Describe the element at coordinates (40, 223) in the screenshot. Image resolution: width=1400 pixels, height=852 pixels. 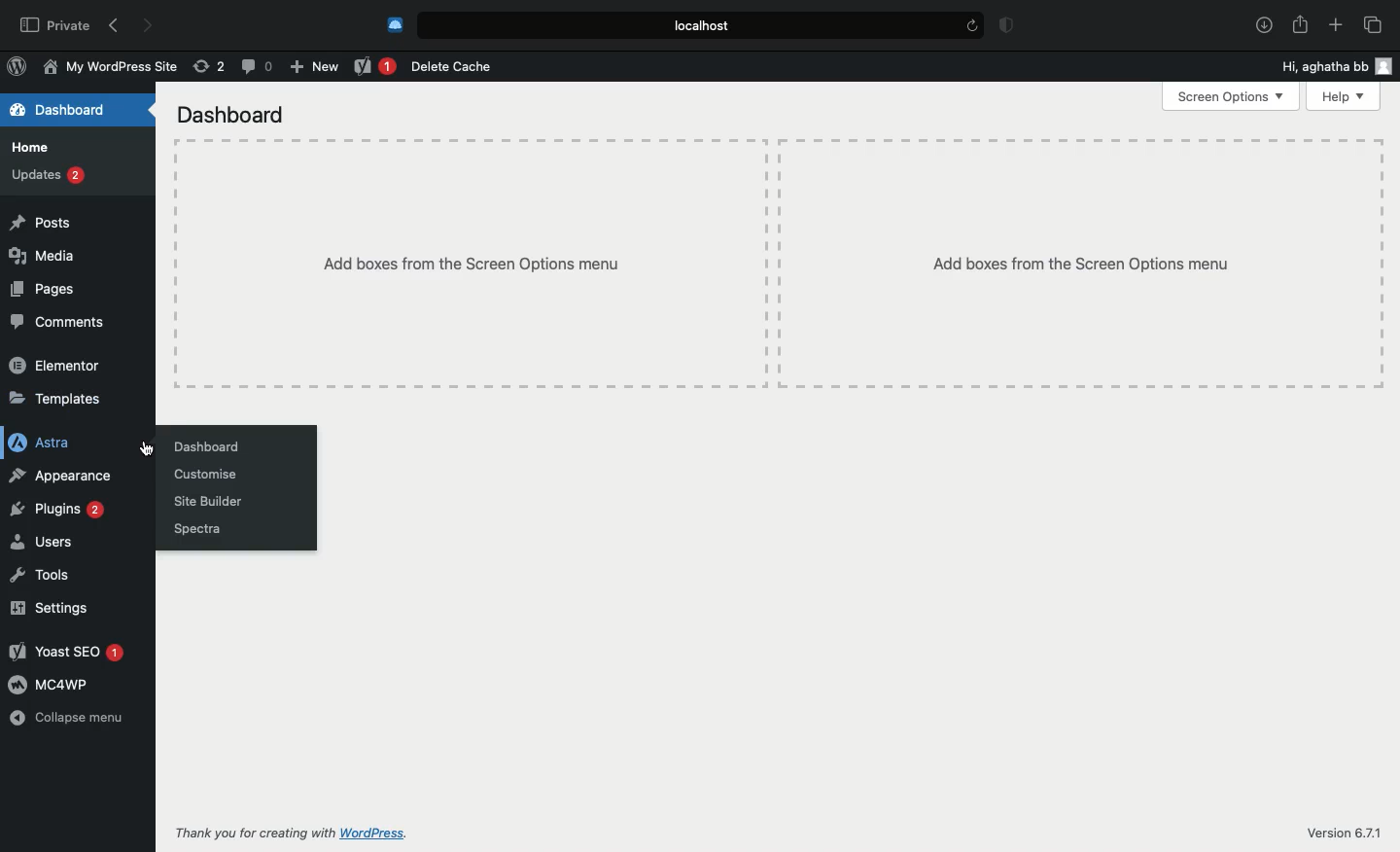
I see `Posts` at that location.